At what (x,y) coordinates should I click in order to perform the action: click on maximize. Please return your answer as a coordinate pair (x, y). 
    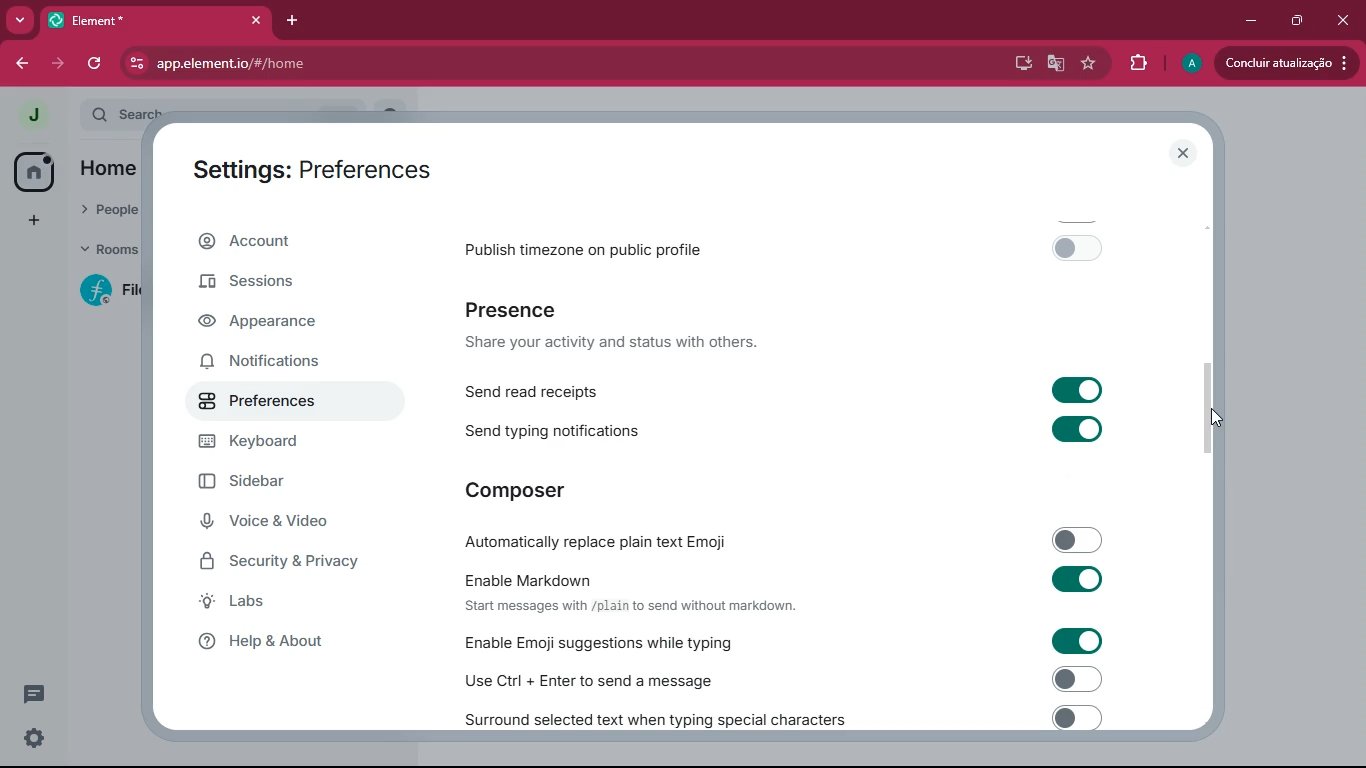
    Looking at the image, I should click on (1293, 21).